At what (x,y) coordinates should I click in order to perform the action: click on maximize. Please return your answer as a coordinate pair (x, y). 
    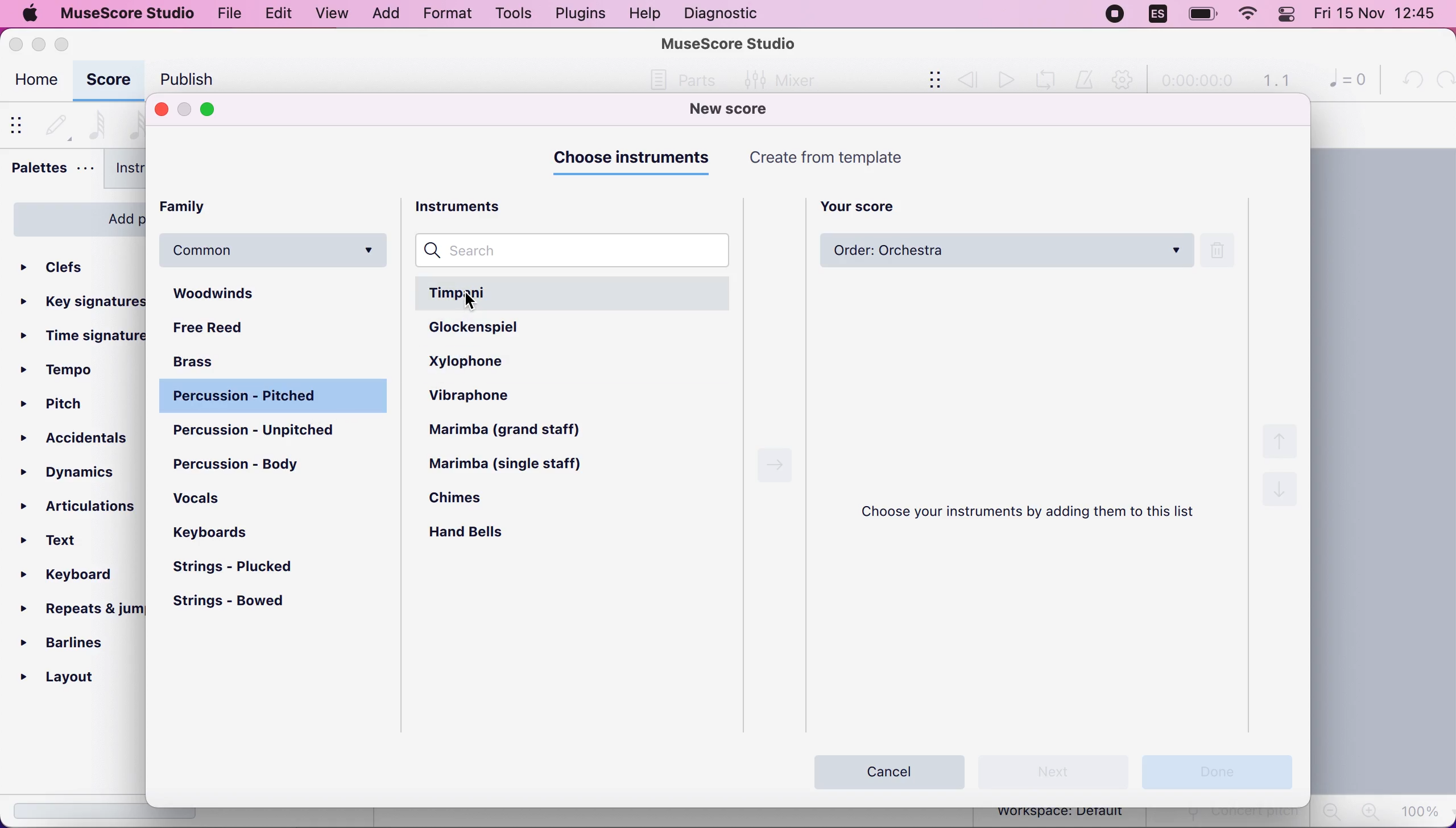
    Looking at the image, I should click on (67, 44).